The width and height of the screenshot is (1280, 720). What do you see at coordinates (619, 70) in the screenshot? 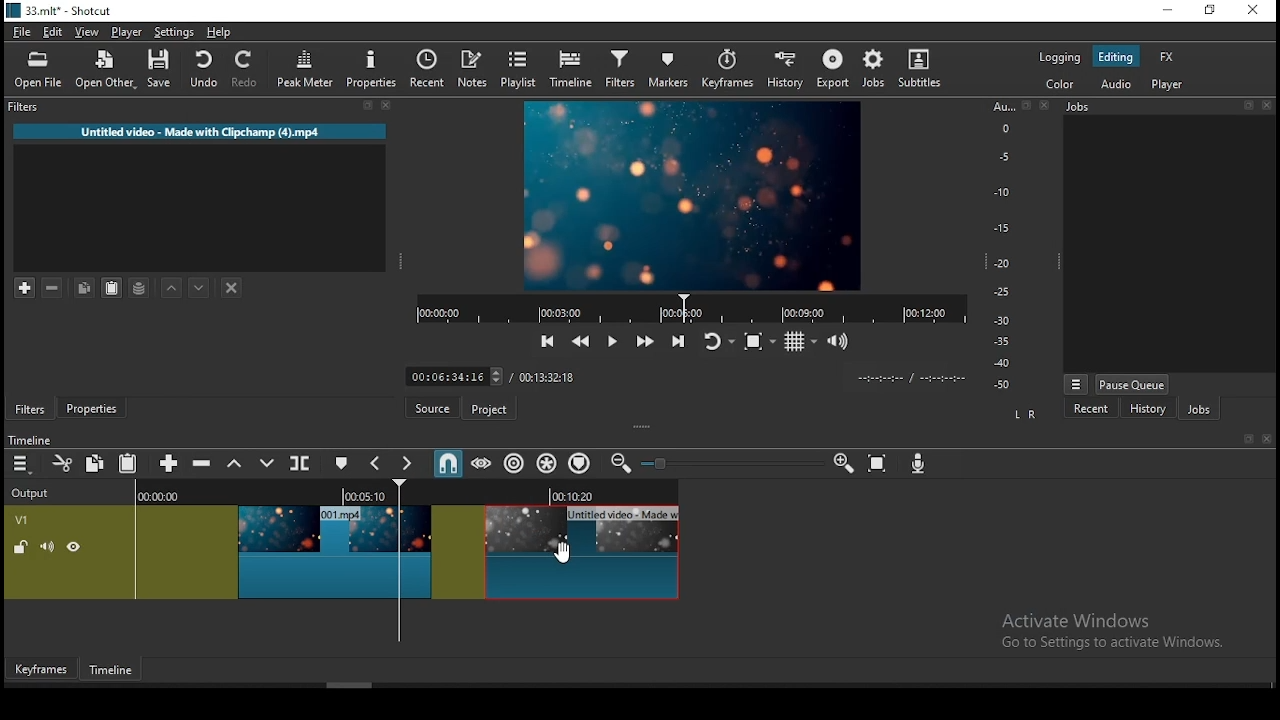
I see `filters` at bounding box center [619, 70].